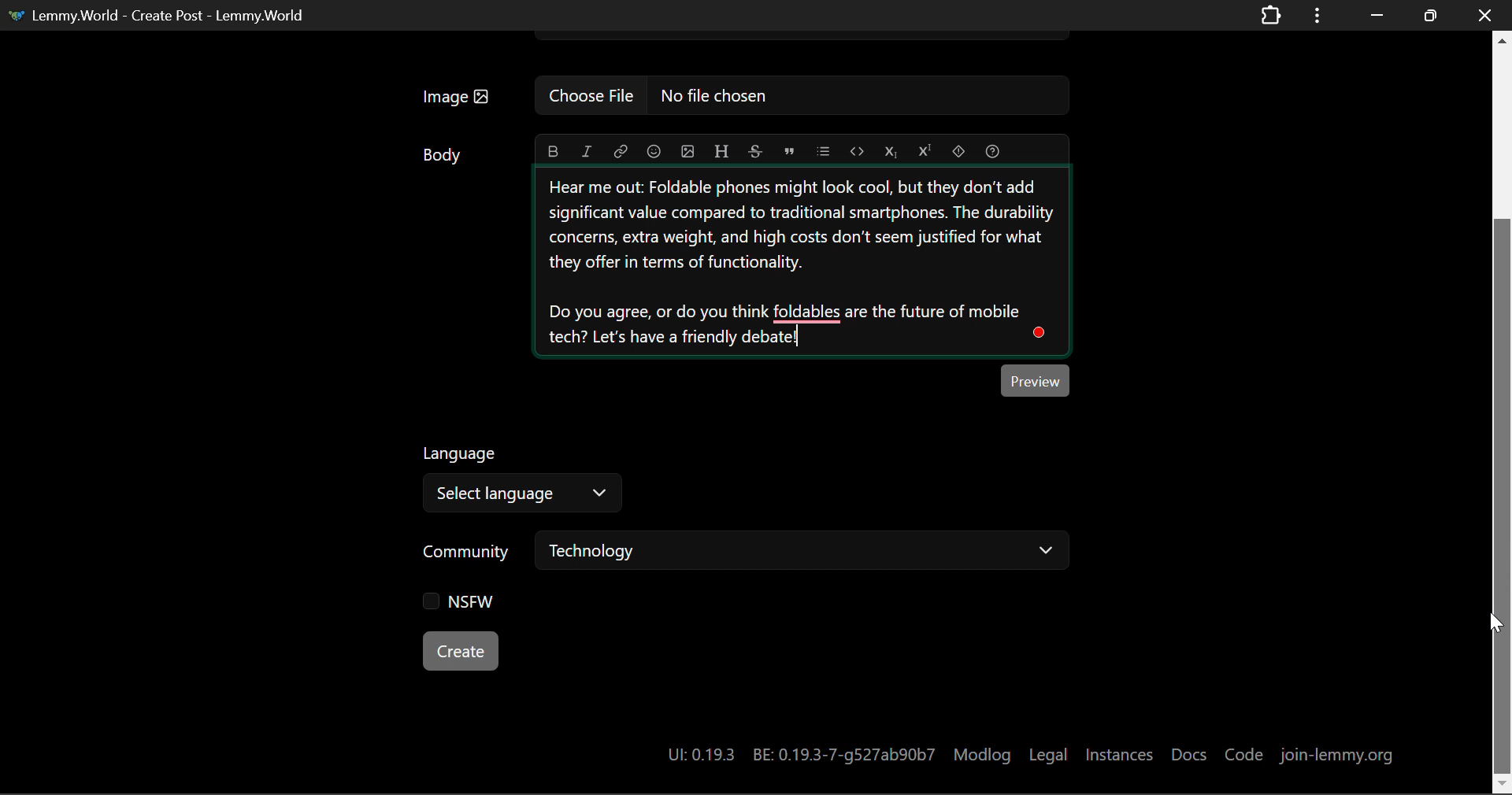  What do you see at coordinates (1121, 751) in the screenshot?
I see `Instances` at bounding box center [1121, 751].